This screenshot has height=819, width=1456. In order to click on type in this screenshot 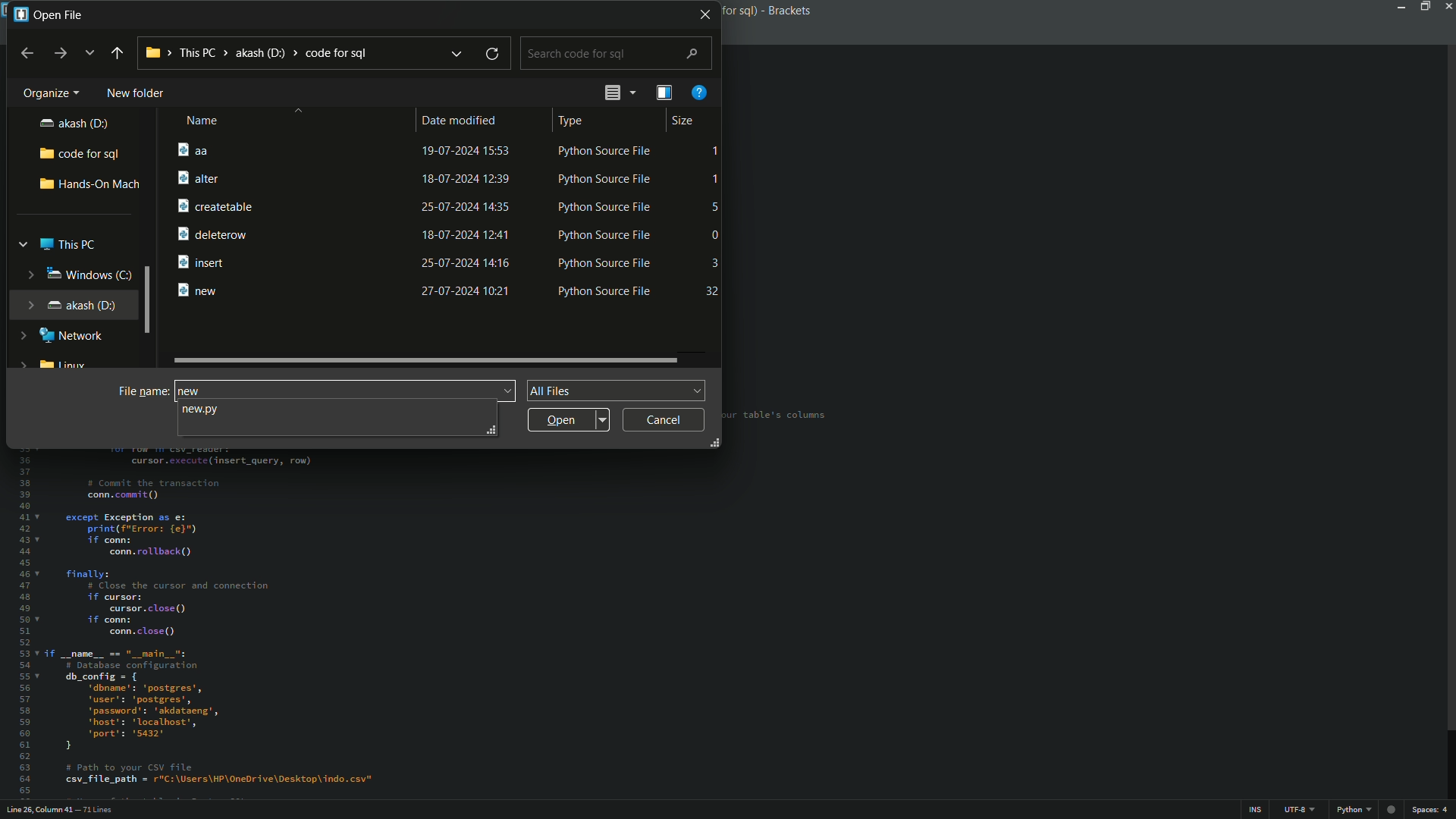, I will do `click(570, 122)`.